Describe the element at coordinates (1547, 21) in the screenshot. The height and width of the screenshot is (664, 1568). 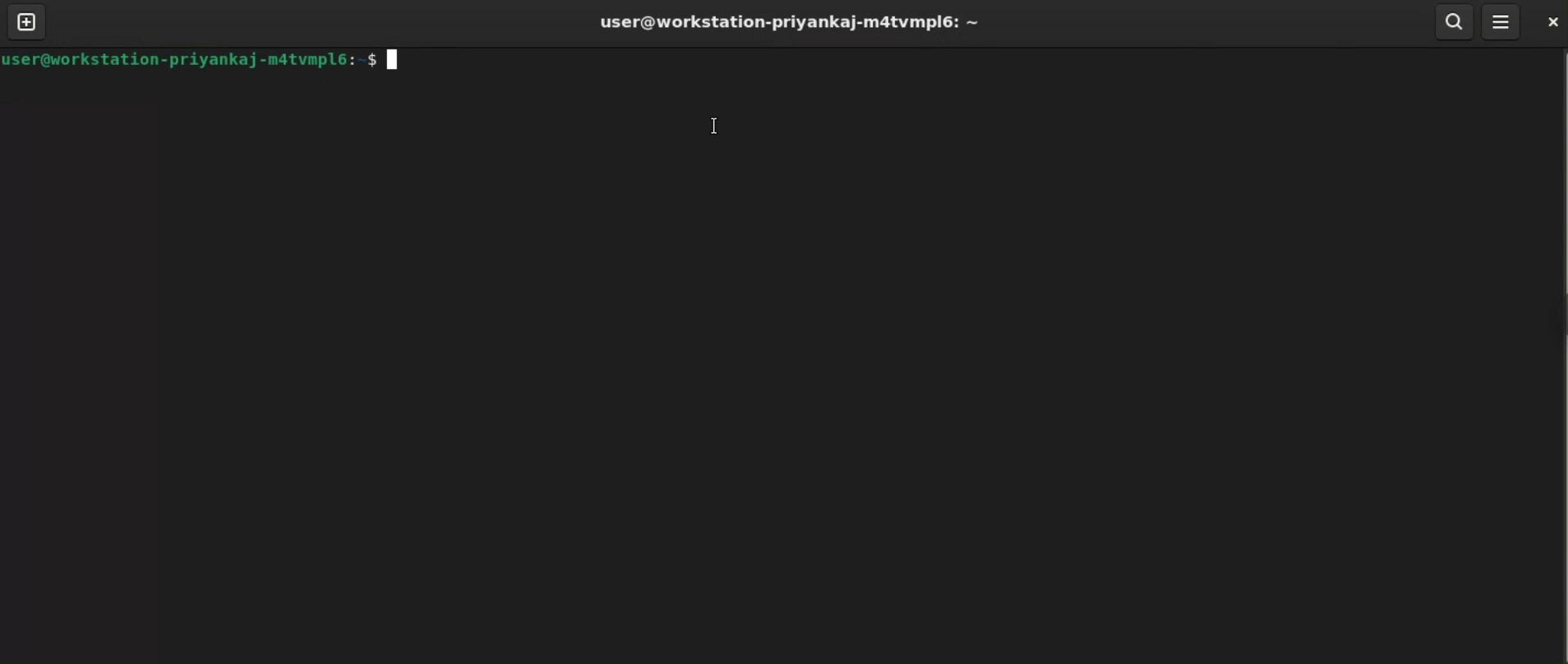
I see `close` at that location.